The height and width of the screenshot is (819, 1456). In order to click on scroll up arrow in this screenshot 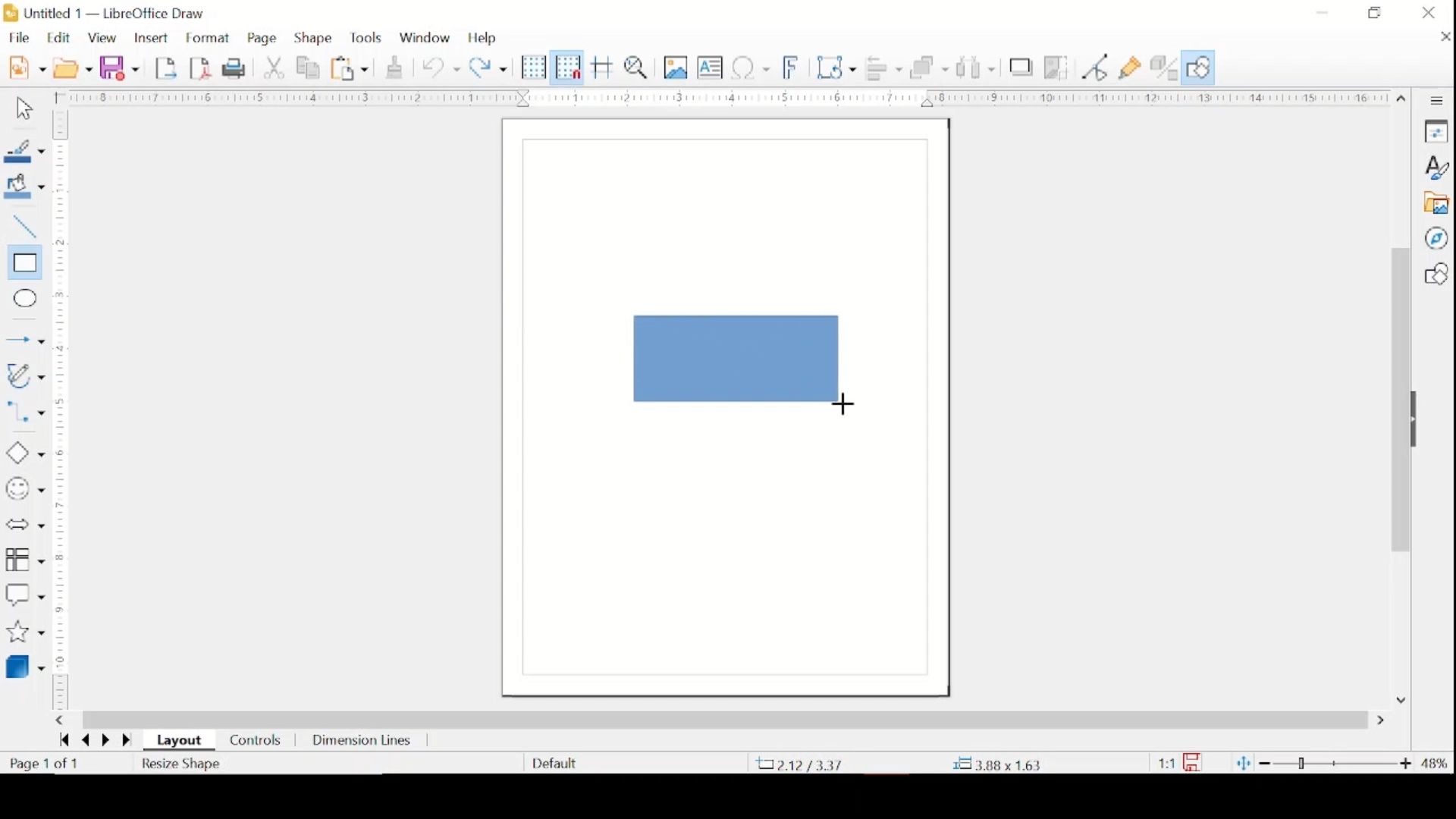, I will do `click(1402, 96)`.